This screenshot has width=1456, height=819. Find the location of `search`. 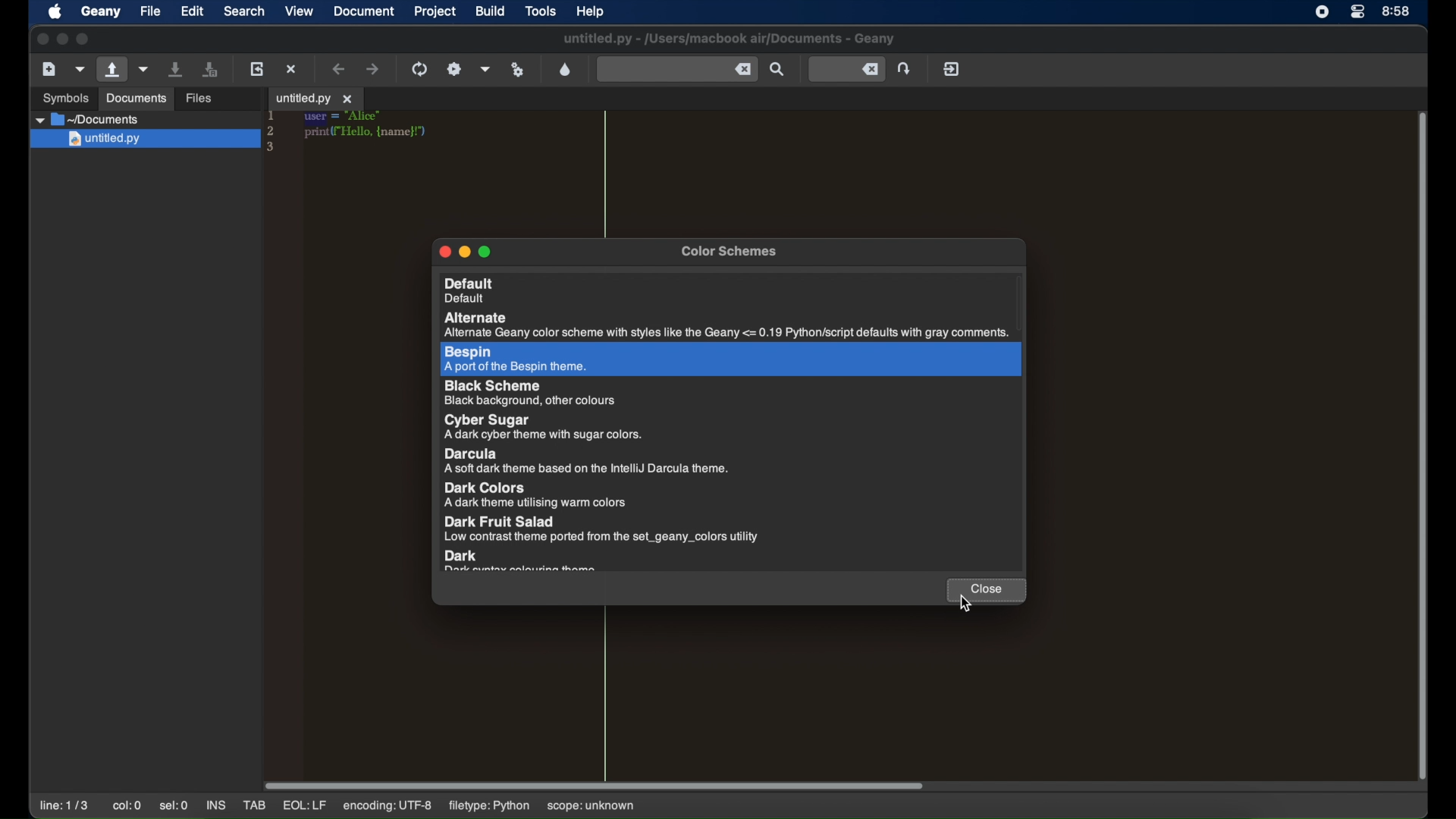

search is located at coordinates (244, 11).